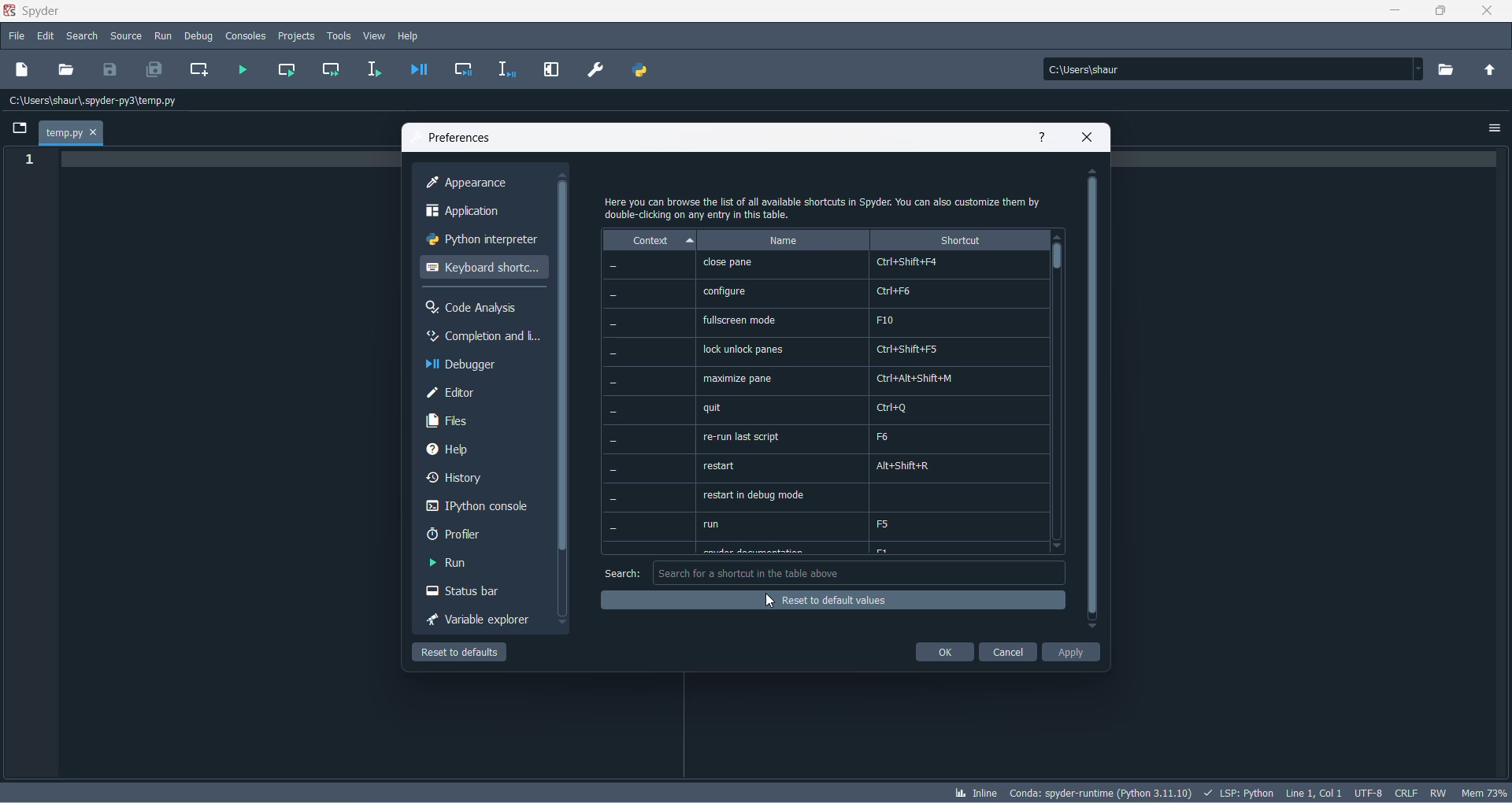  I want to click on options, so click(1494, 128).